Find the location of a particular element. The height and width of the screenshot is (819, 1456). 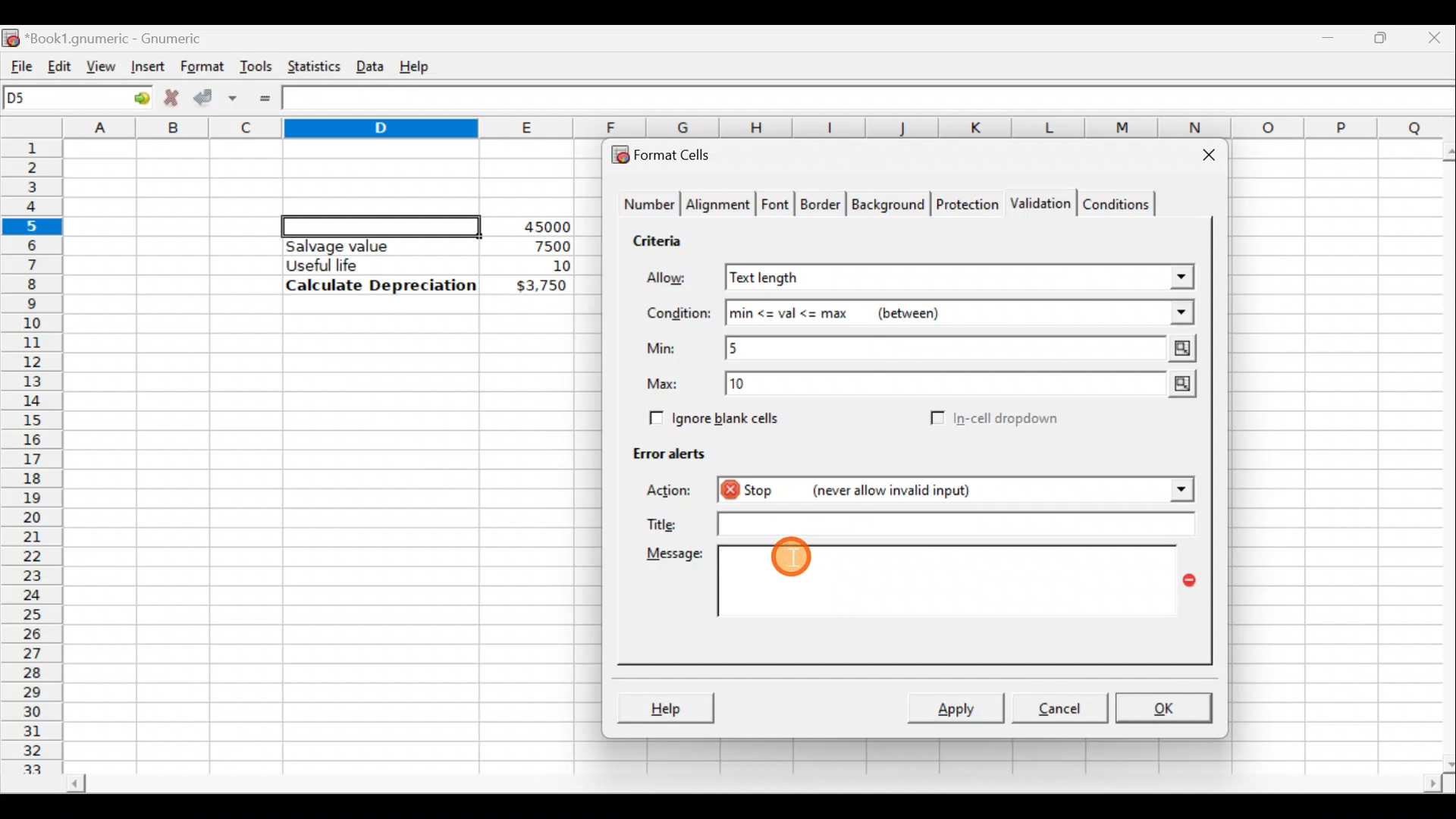

Book1.gnumeric - Gnumeric is located at coordinates (124, 37).